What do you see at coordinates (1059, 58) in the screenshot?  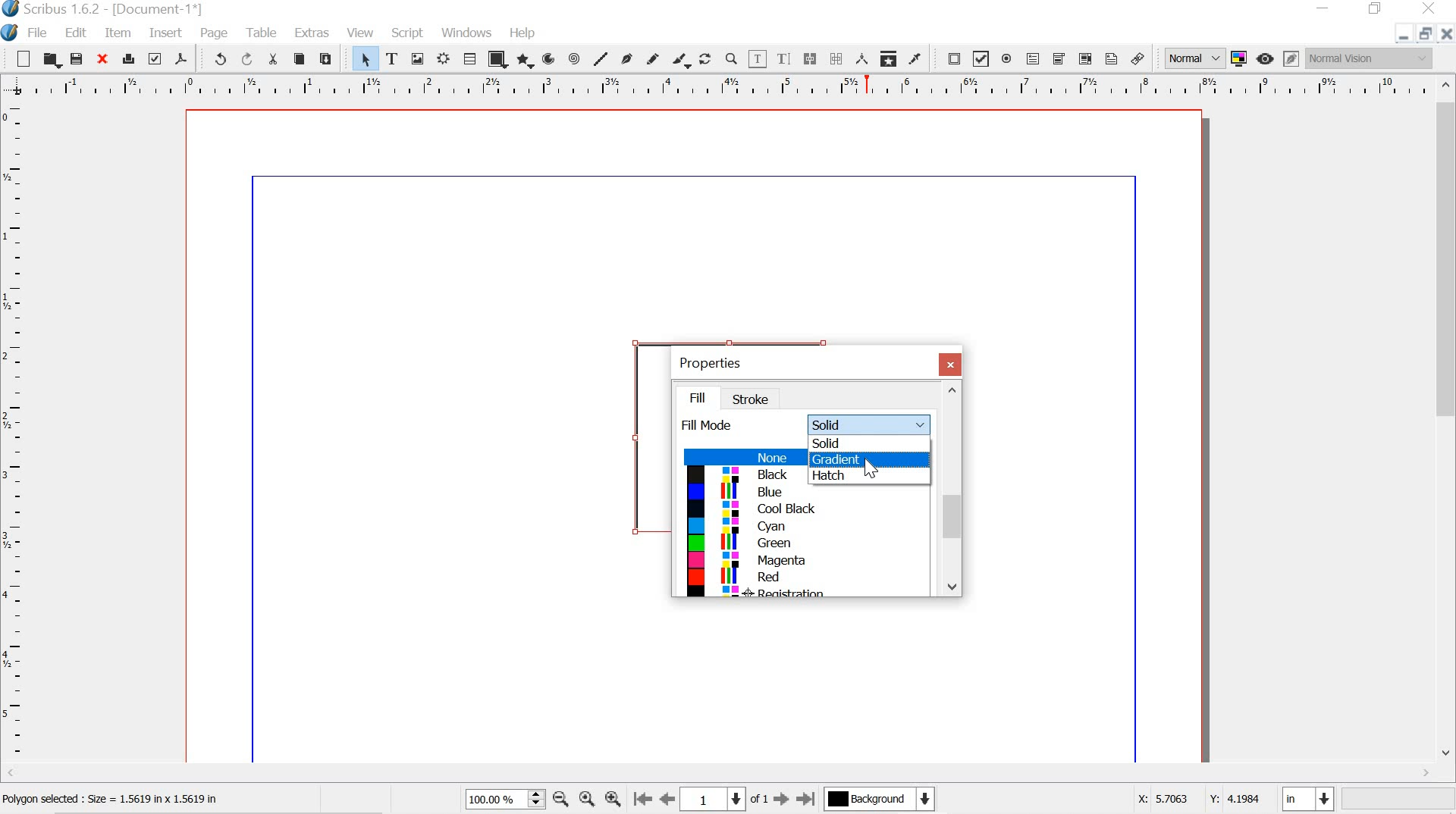 I see `pdf combo box` at bounding box center [1059, 58].